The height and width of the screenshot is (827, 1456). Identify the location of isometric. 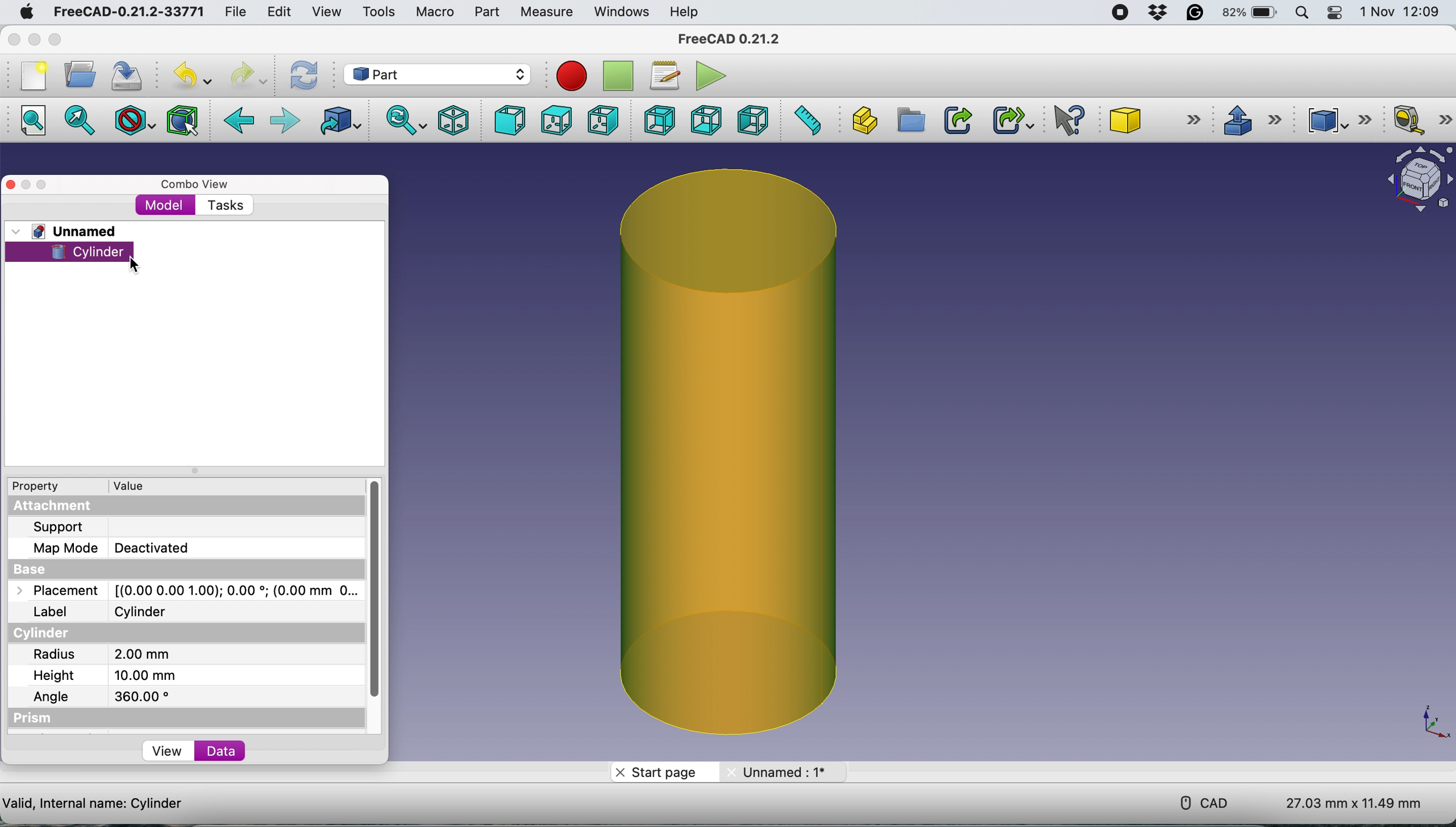
(452, 120).